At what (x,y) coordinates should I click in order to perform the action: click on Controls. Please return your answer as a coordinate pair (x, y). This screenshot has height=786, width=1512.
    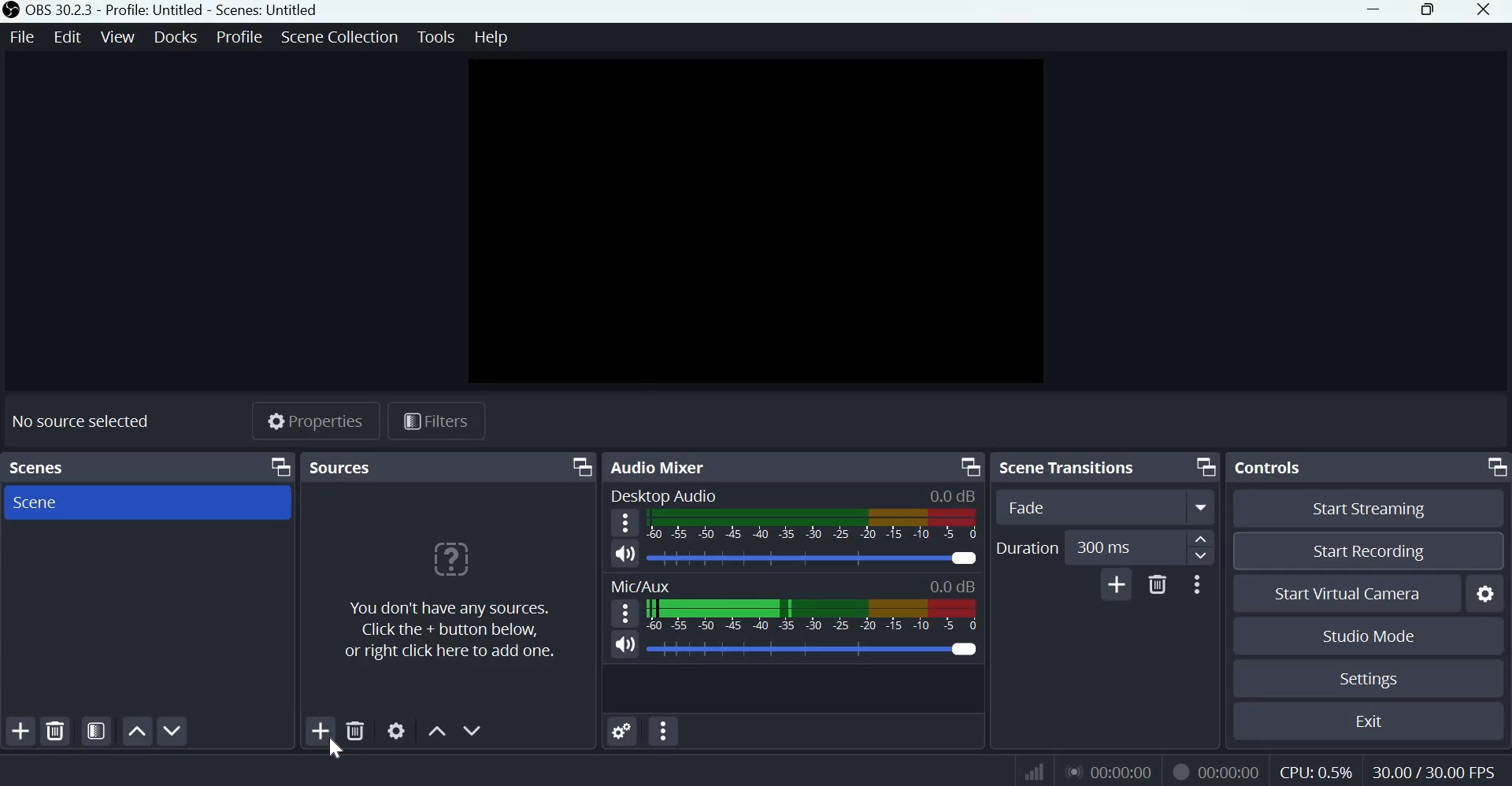
    Looking at the image, I should click on (1268, 466).